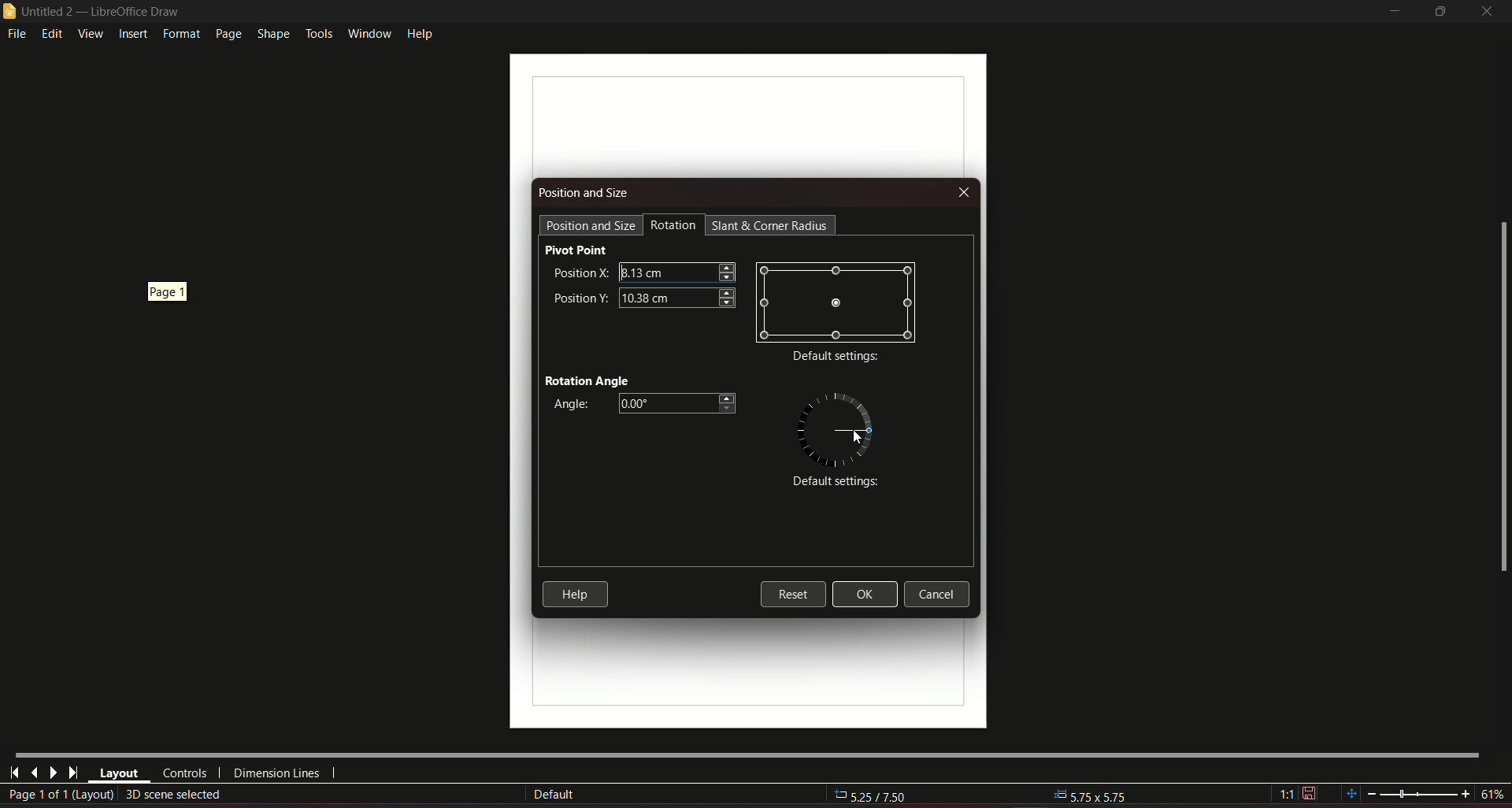 The width and height of the screenshot is (1512, 808). What do you see at coordinates (674, 225) in the screenshot?
I see `Rotation` at bounding box center [674, 225].